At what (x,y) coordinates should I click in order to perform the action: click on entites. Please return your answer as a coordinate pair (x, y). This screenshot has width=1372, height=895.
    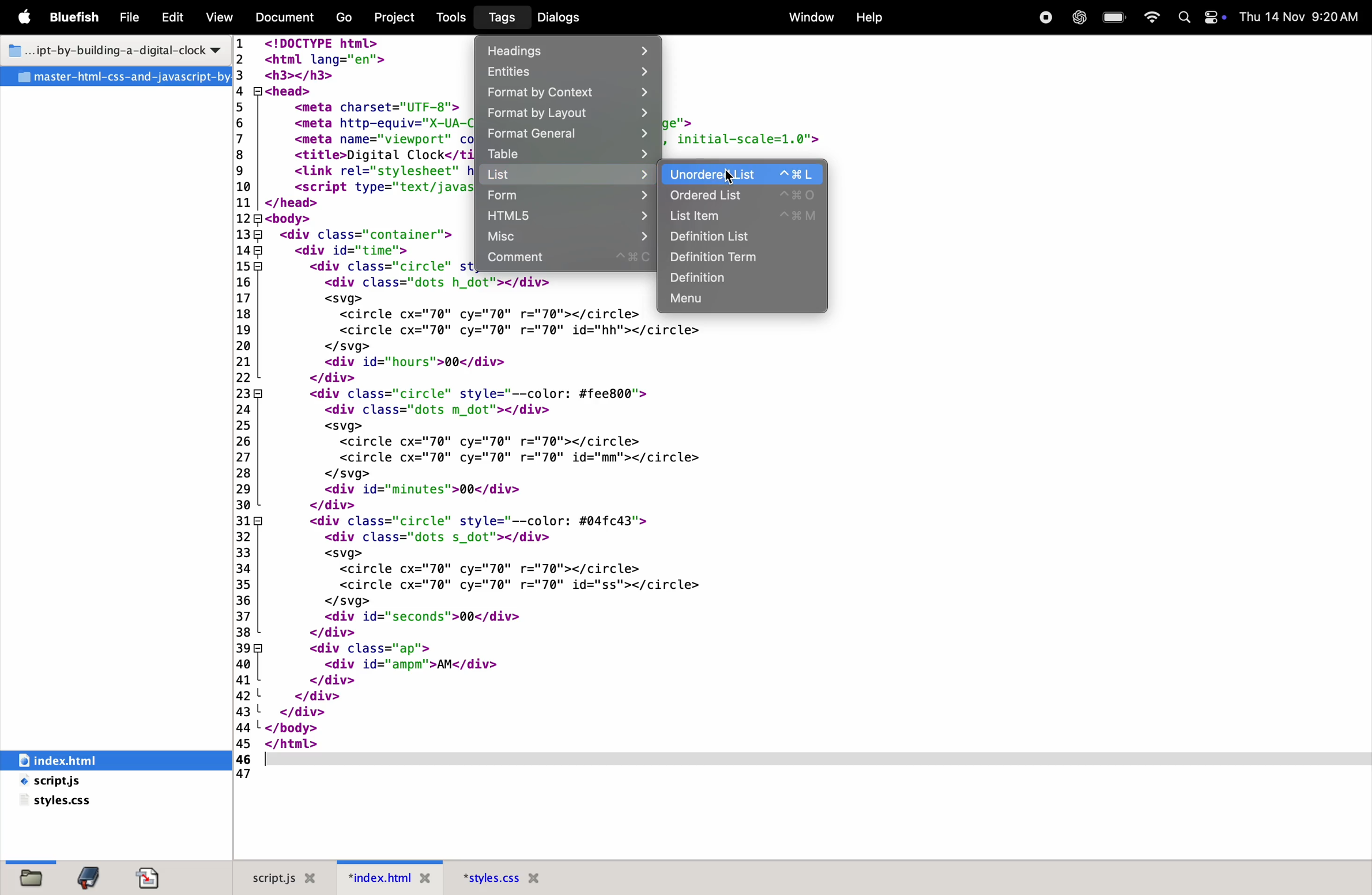
    Looking at the image, I should click on (566, 73).